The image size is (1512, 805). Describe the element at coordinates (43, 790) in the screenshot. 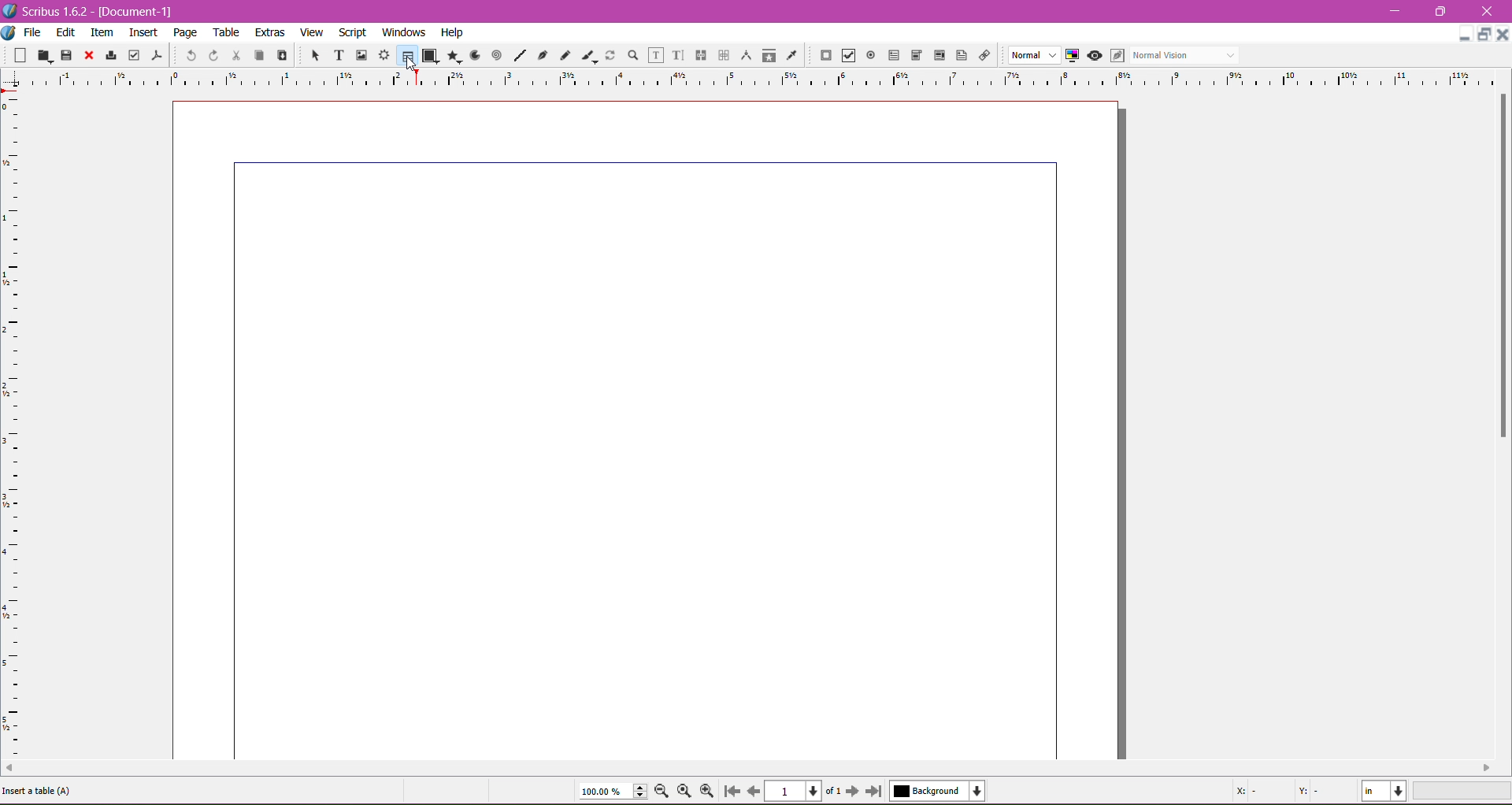

I see `Insert a table (A)` at that location.